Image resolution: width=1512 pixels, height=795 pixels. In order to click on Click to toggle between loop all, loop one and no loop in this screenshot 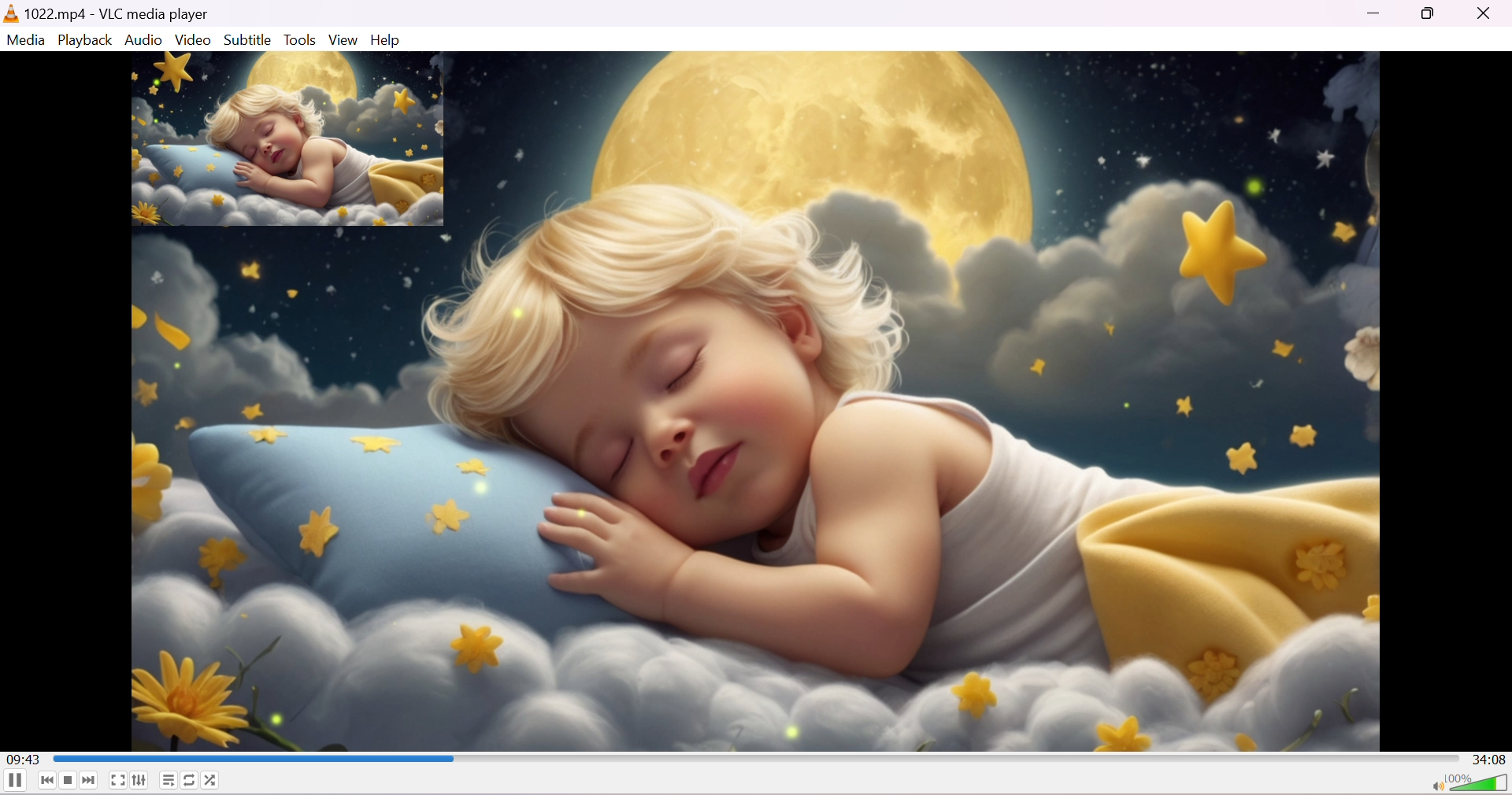, I will do `click(190, 779)`.